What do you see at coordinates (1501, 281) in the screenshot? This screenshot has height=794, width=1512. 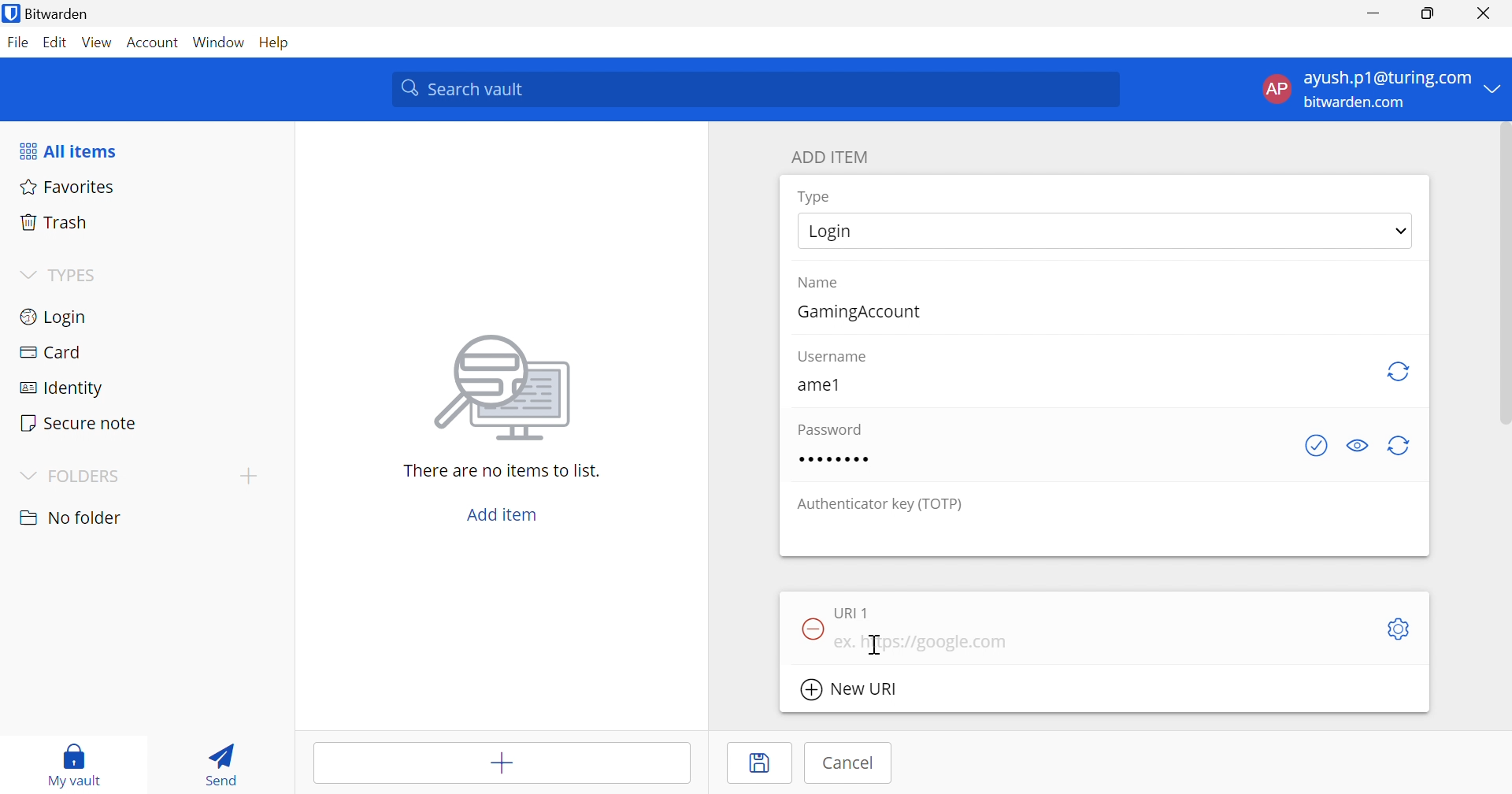 I see `scrollbar` at bounding box center [1501, 281].